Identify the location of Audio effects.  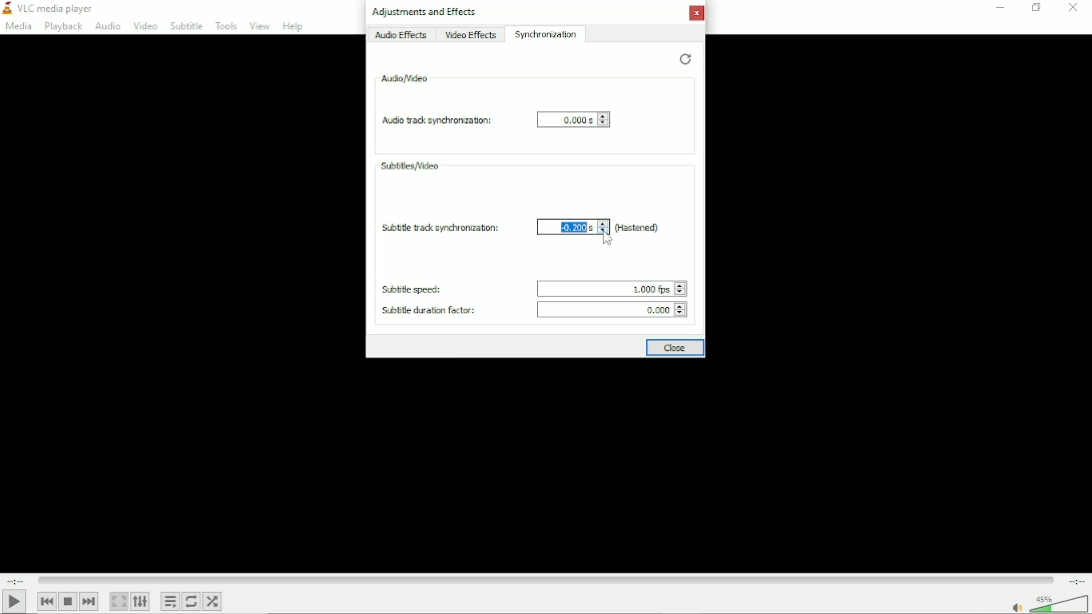
(399, 36).